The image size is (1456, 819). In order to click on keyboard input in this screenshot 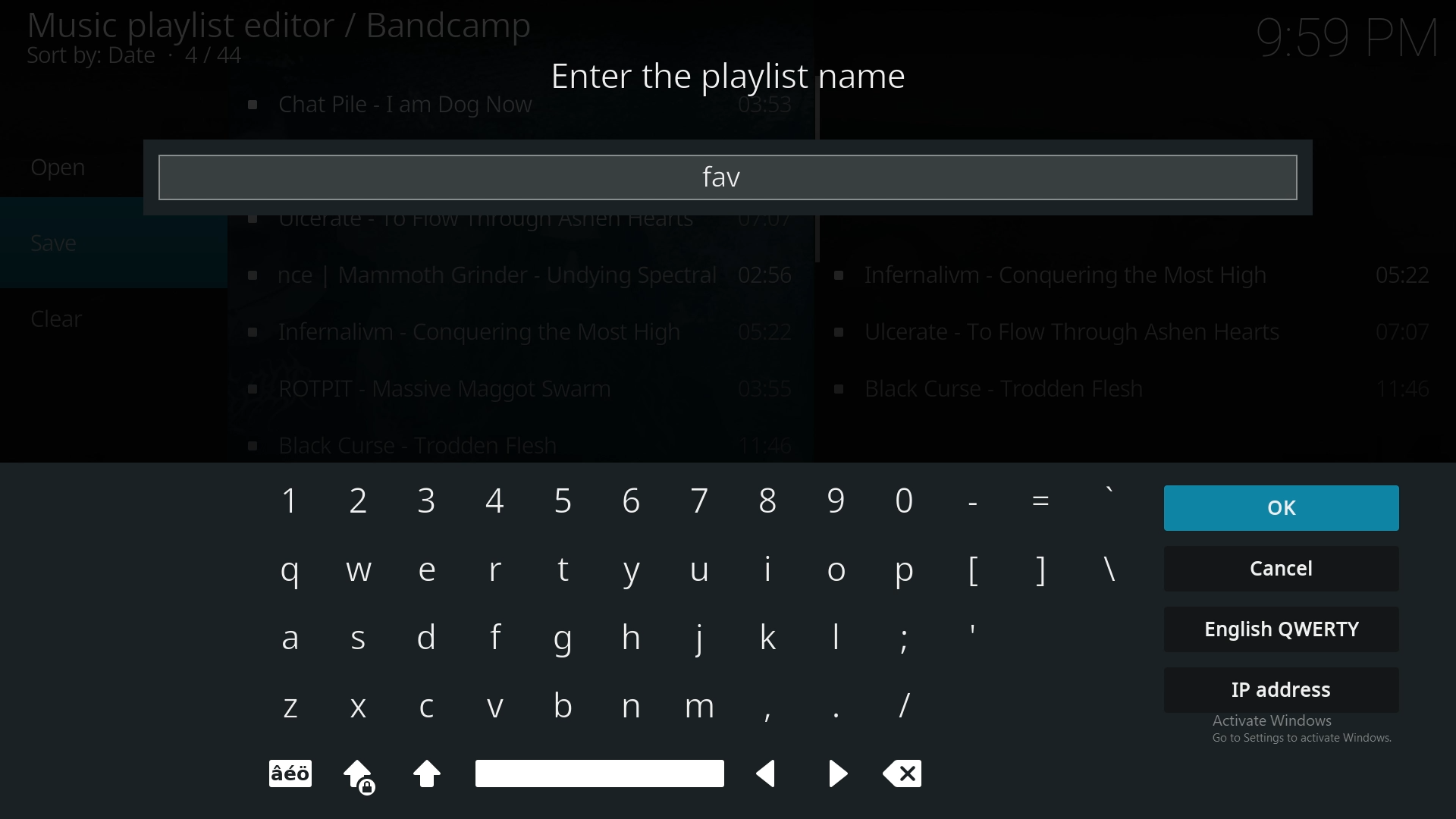, I will do `click(493, 570)`.